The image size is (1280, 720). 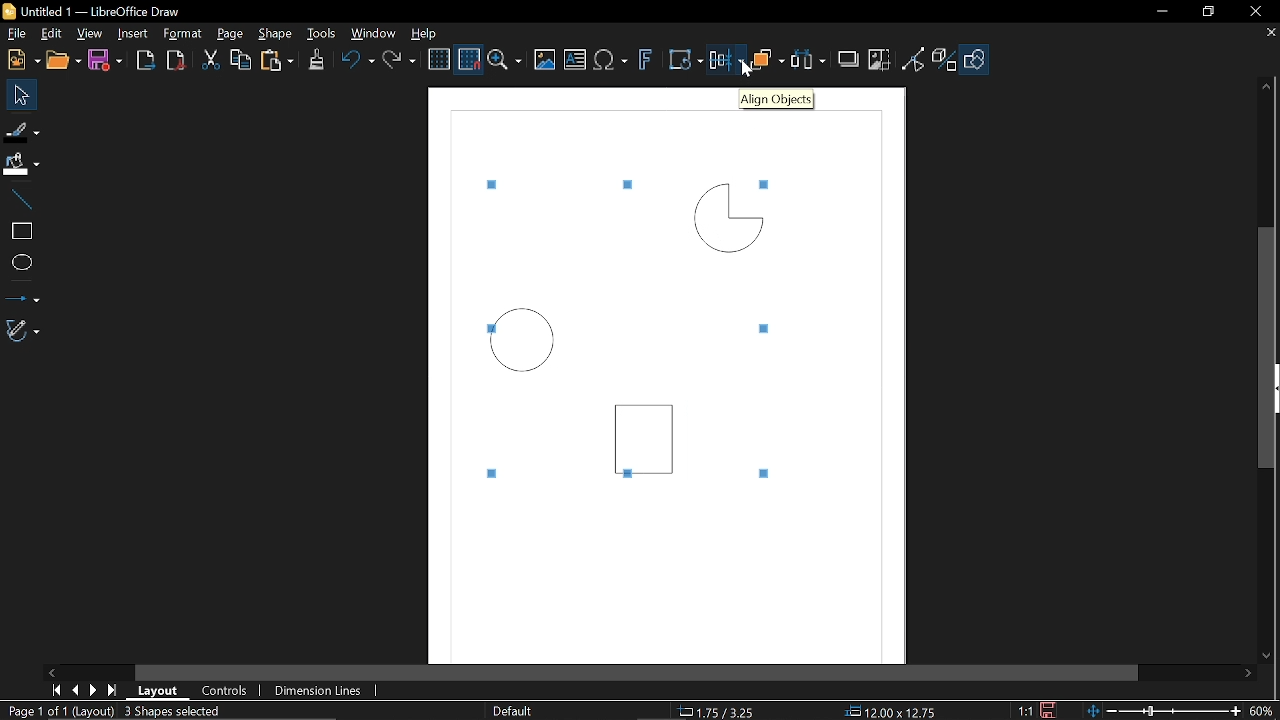 What do you see at coordinates (225, 690) in the screenshot?
I see `Controls` at bounding box center [225, 690].